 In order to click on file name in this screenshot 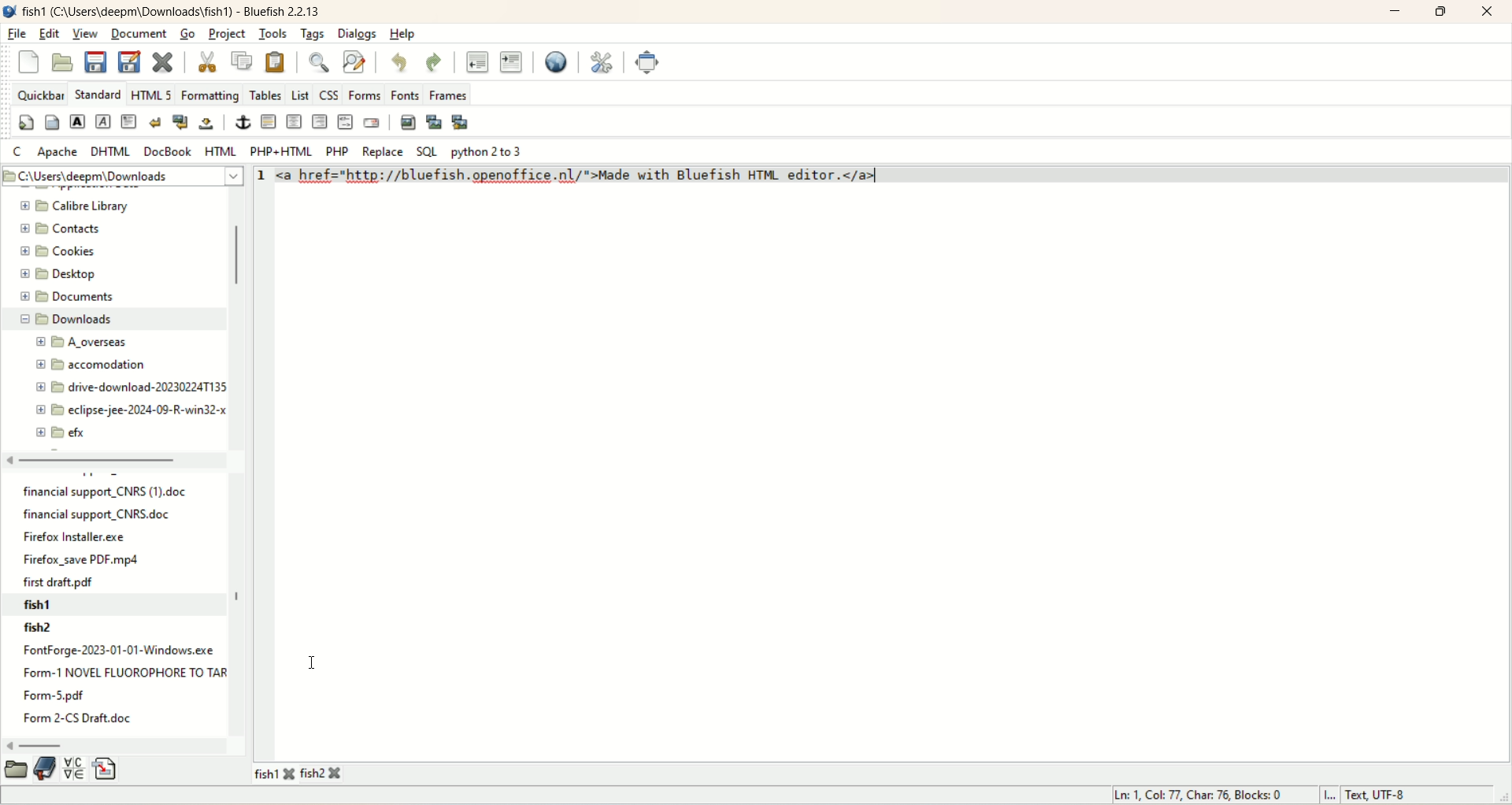, I will do `click(172, 12)`.